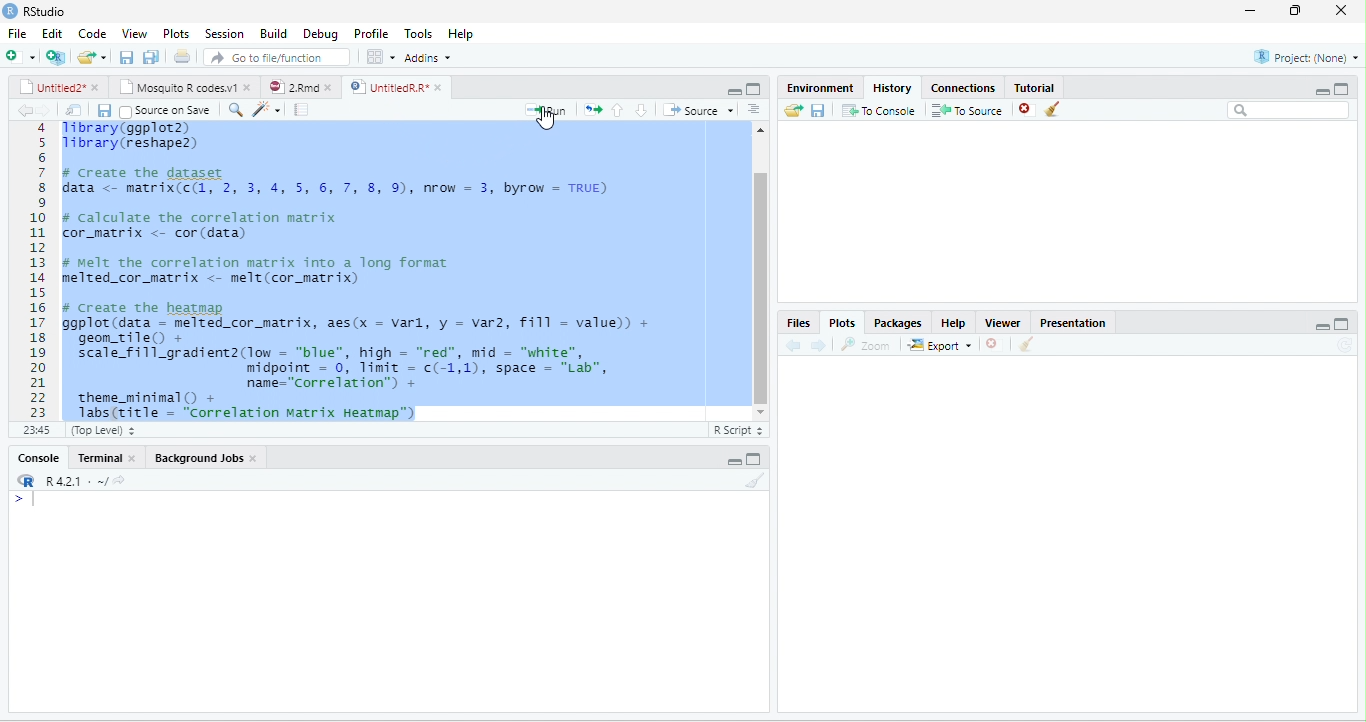 The width and height of the screenshot is (1366, 722). Describe the element at coordinates (48, 12) in the screenshot. I see `RStudio` at that location.